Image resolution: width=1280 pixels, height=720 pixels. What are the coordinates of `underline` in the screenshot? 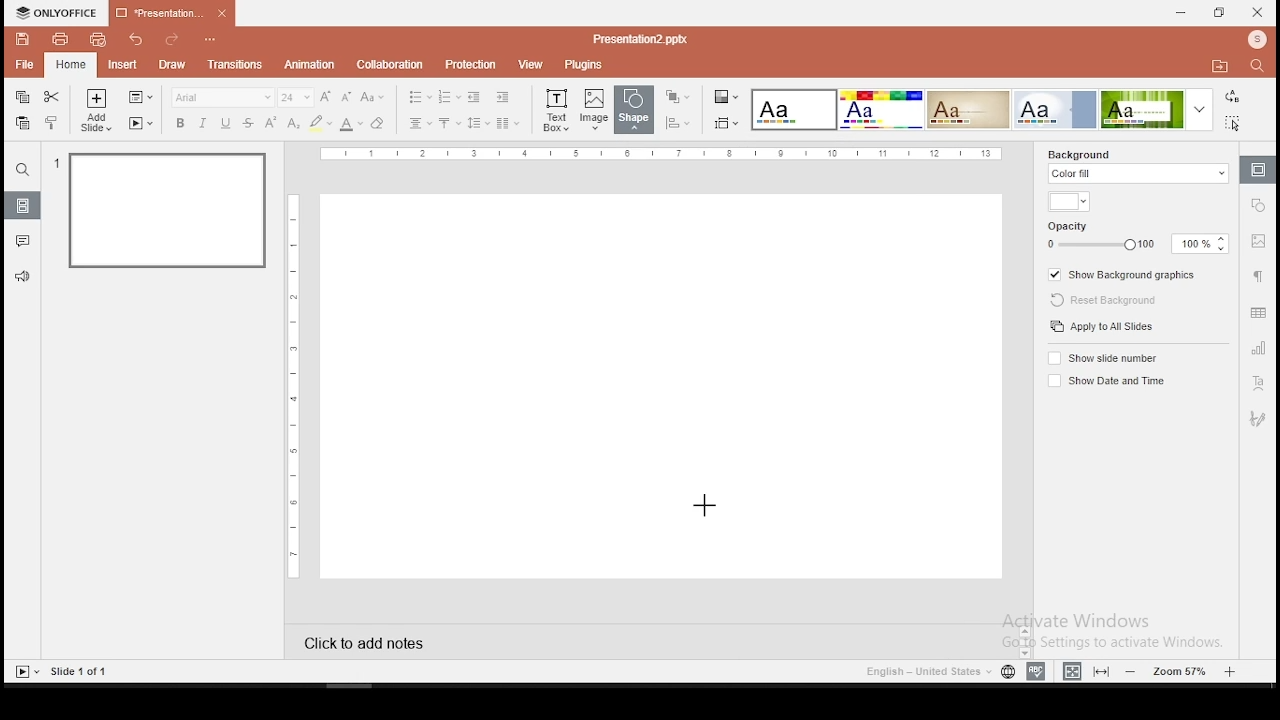 It's located at (226, 124).